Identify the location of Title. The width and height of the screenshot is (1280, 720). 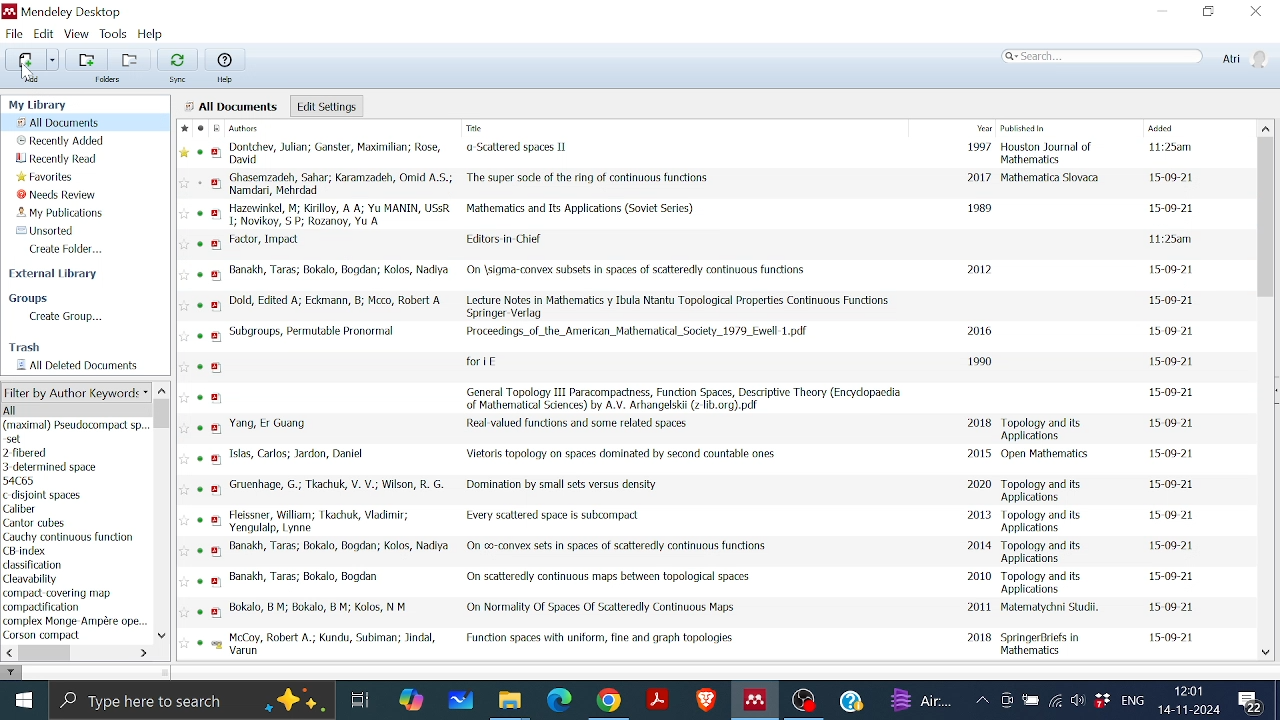
(597, 638).